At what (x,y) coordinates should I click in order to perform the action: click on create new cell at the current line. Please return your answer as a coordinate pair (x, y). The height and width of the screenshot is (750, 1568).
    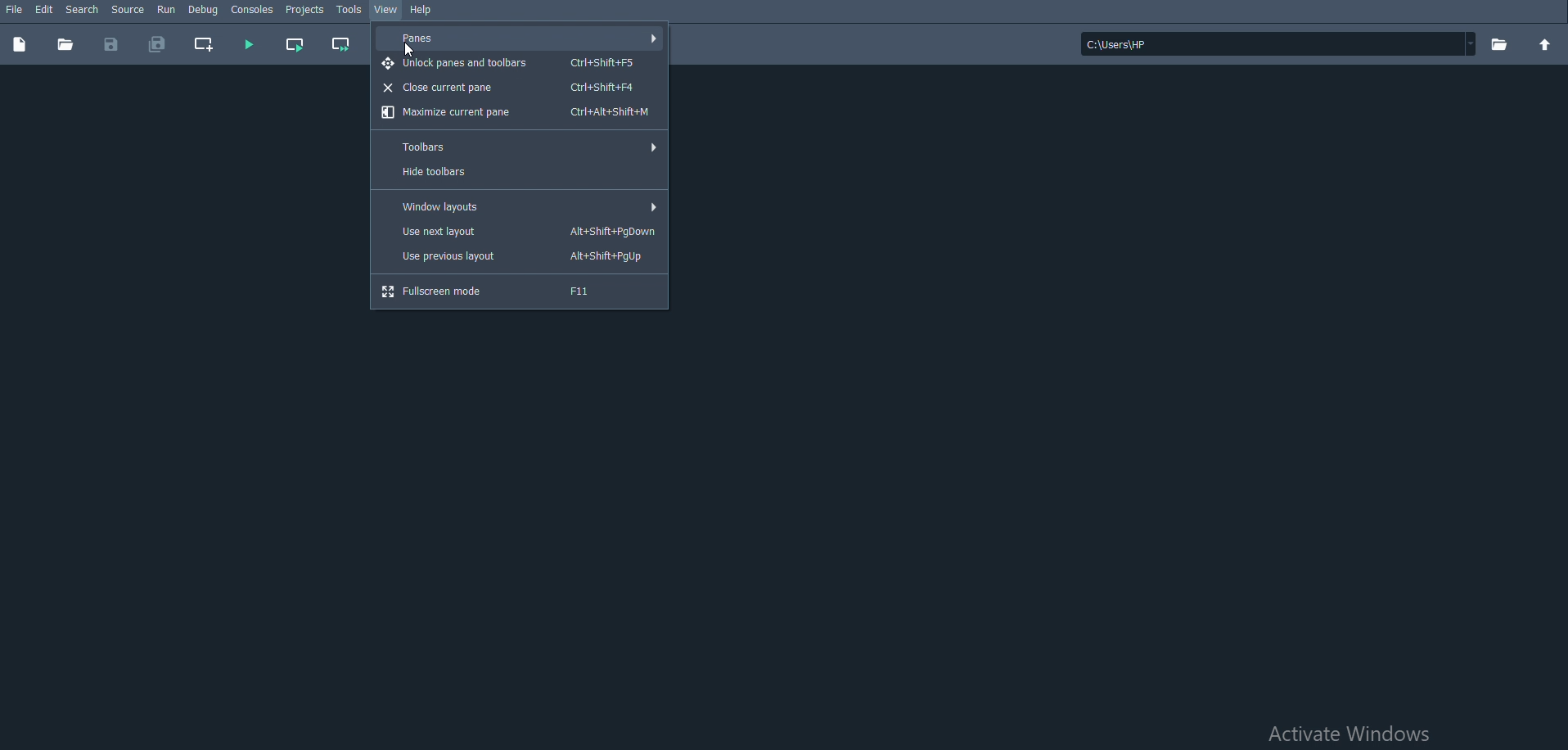
    Looking at the image, I should click on (201, 45).